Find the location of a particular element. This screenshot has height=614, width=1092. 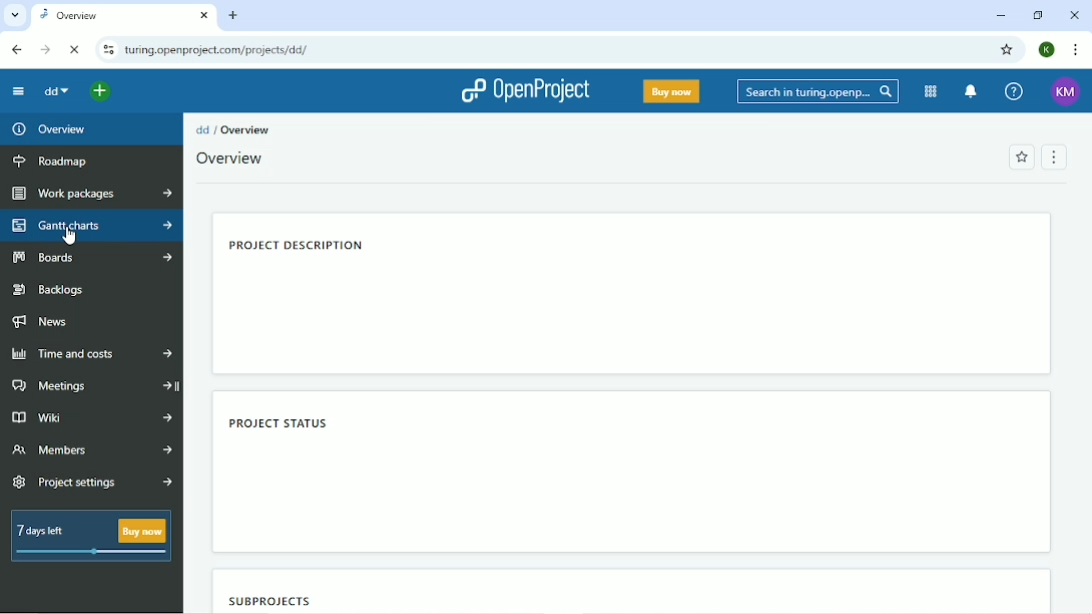

Search tabs is located at coordinates (13, 15).